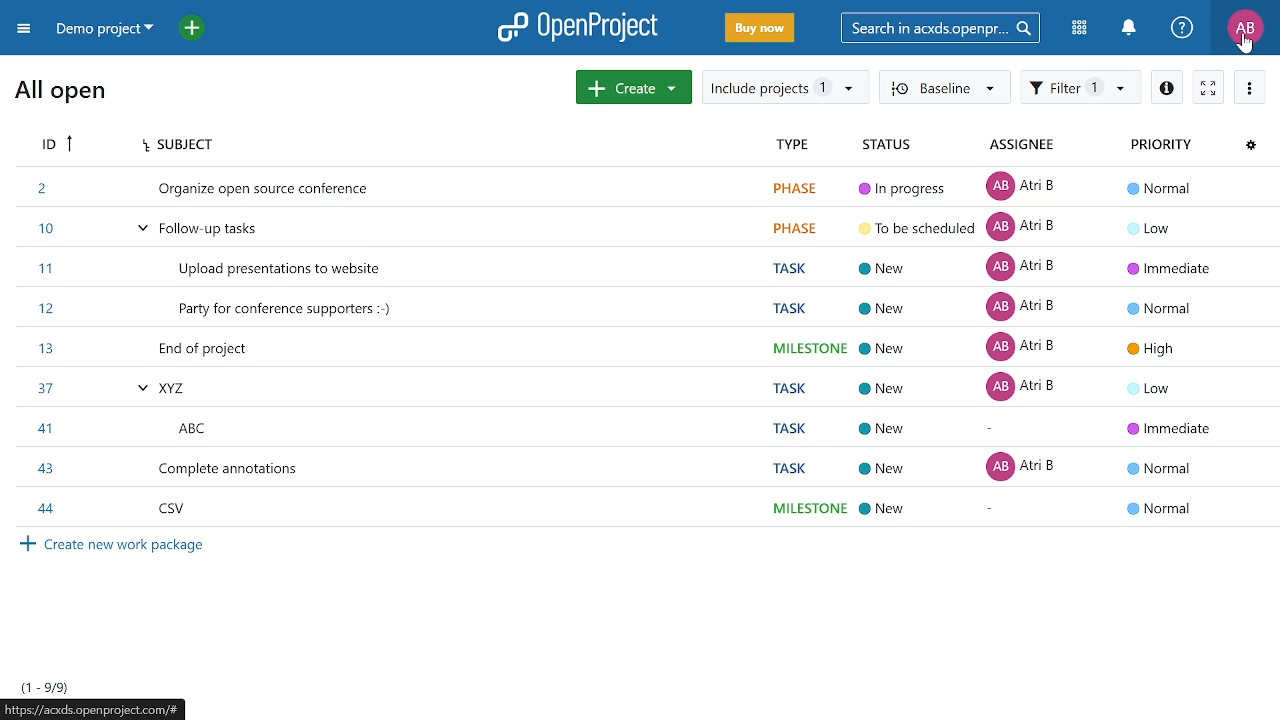 This screenshot has width=1280, height=720. I want to click on Profile, so click(1245, 29).